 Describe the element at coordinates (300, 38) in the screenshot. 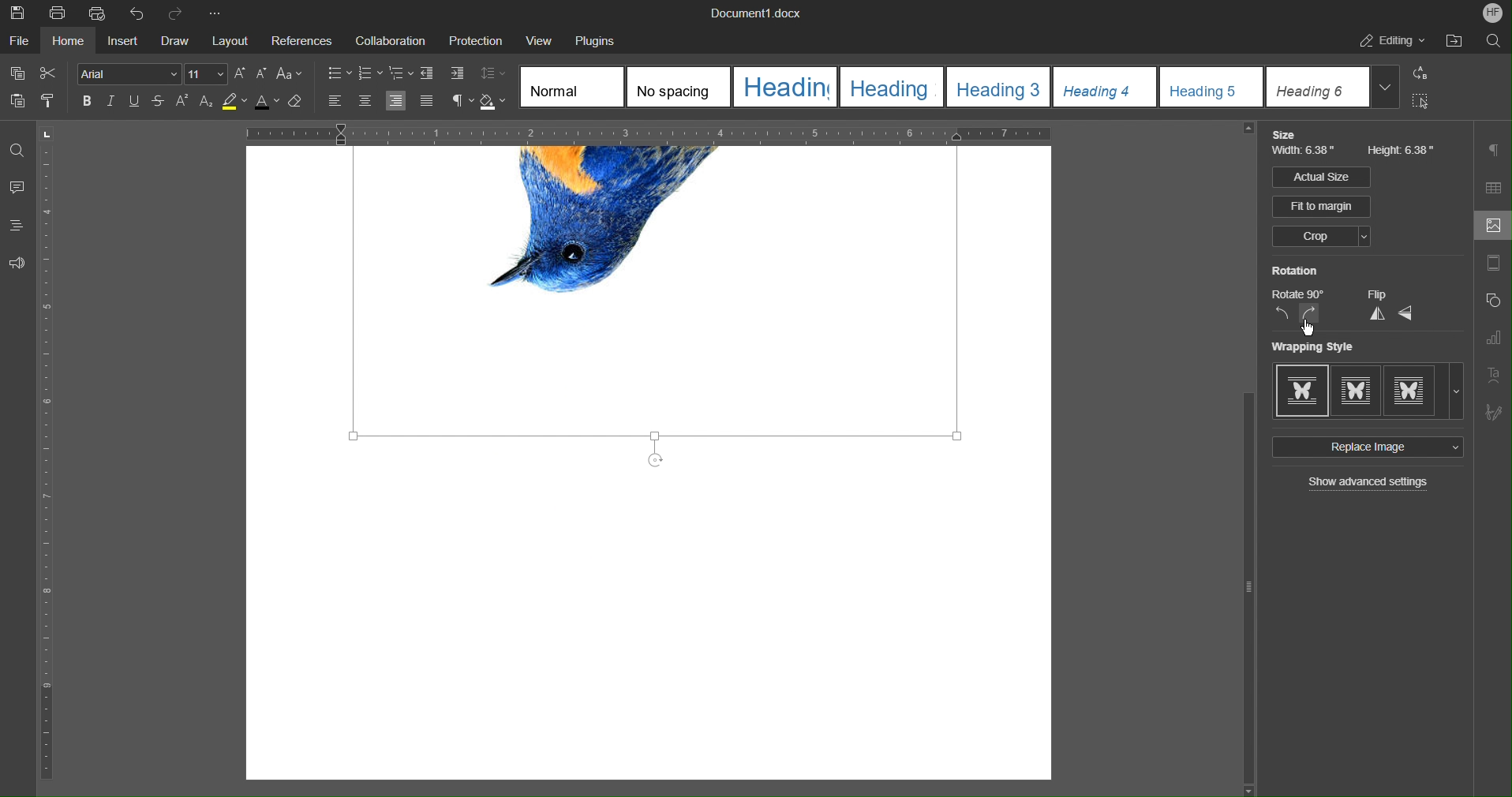

I see `References` at that location.